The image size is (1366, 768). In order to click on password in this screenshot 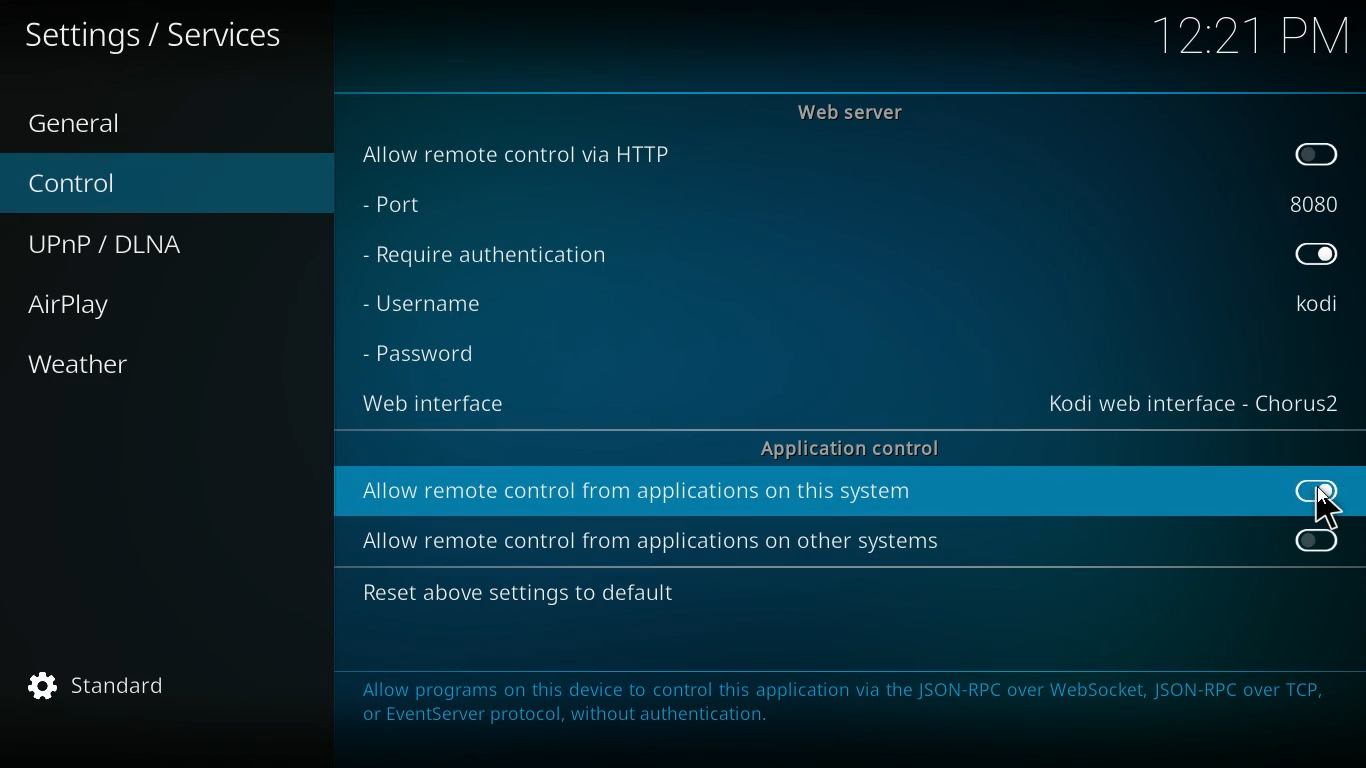, I will do `click(426, 354)`.